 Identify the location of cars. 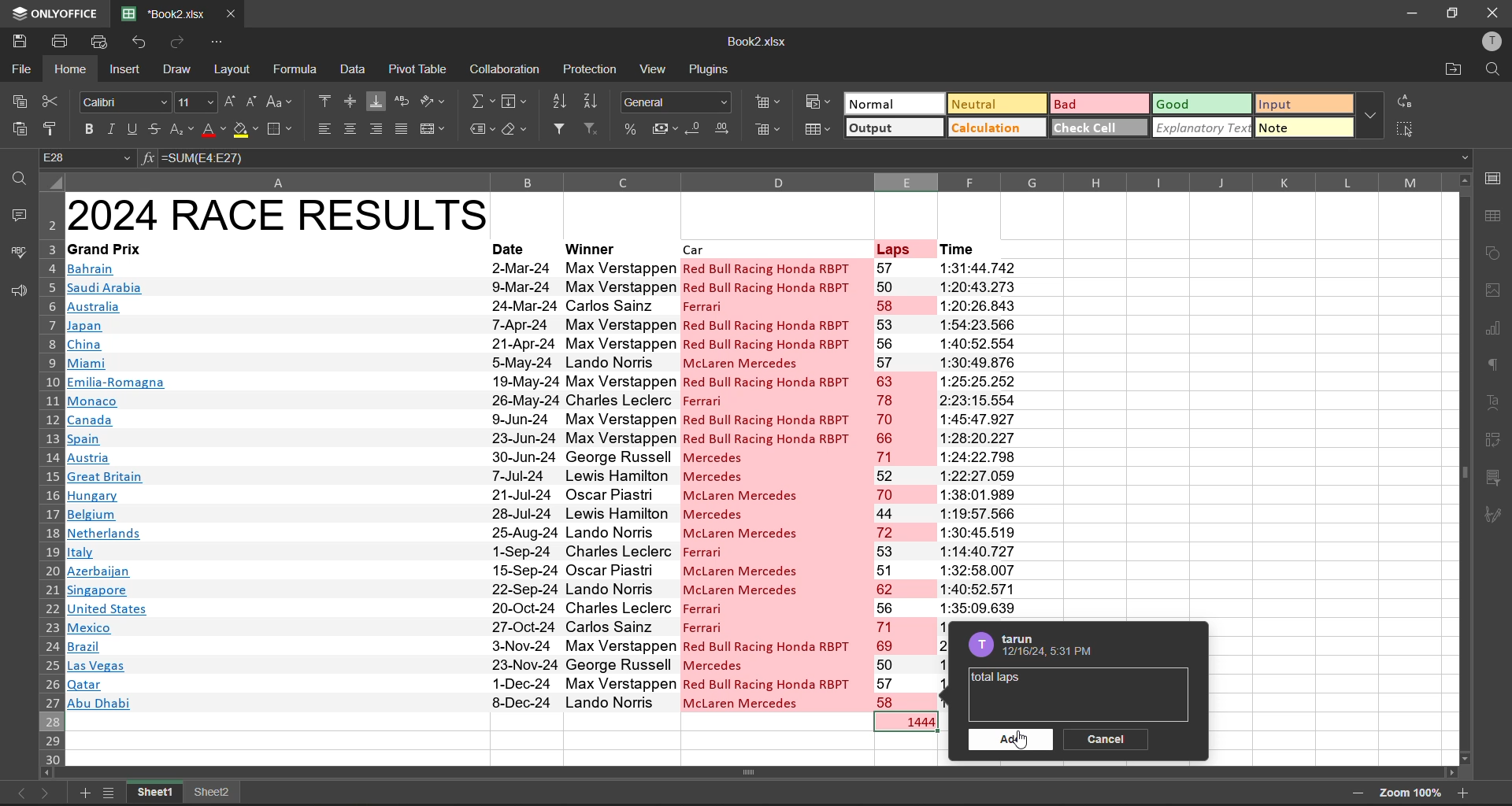
(769, 485).